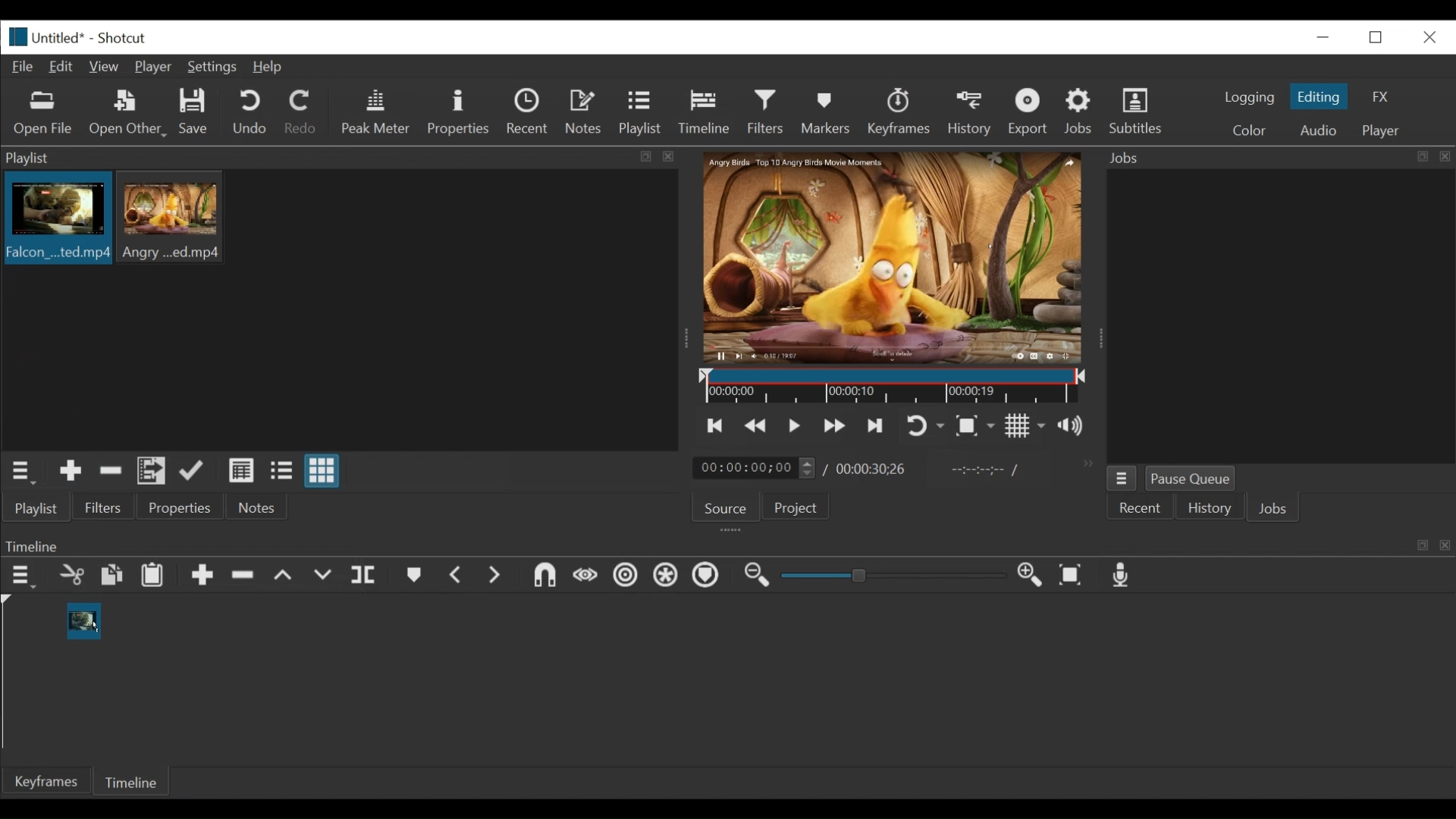  I want to click on Recent, so click(1141, 509).